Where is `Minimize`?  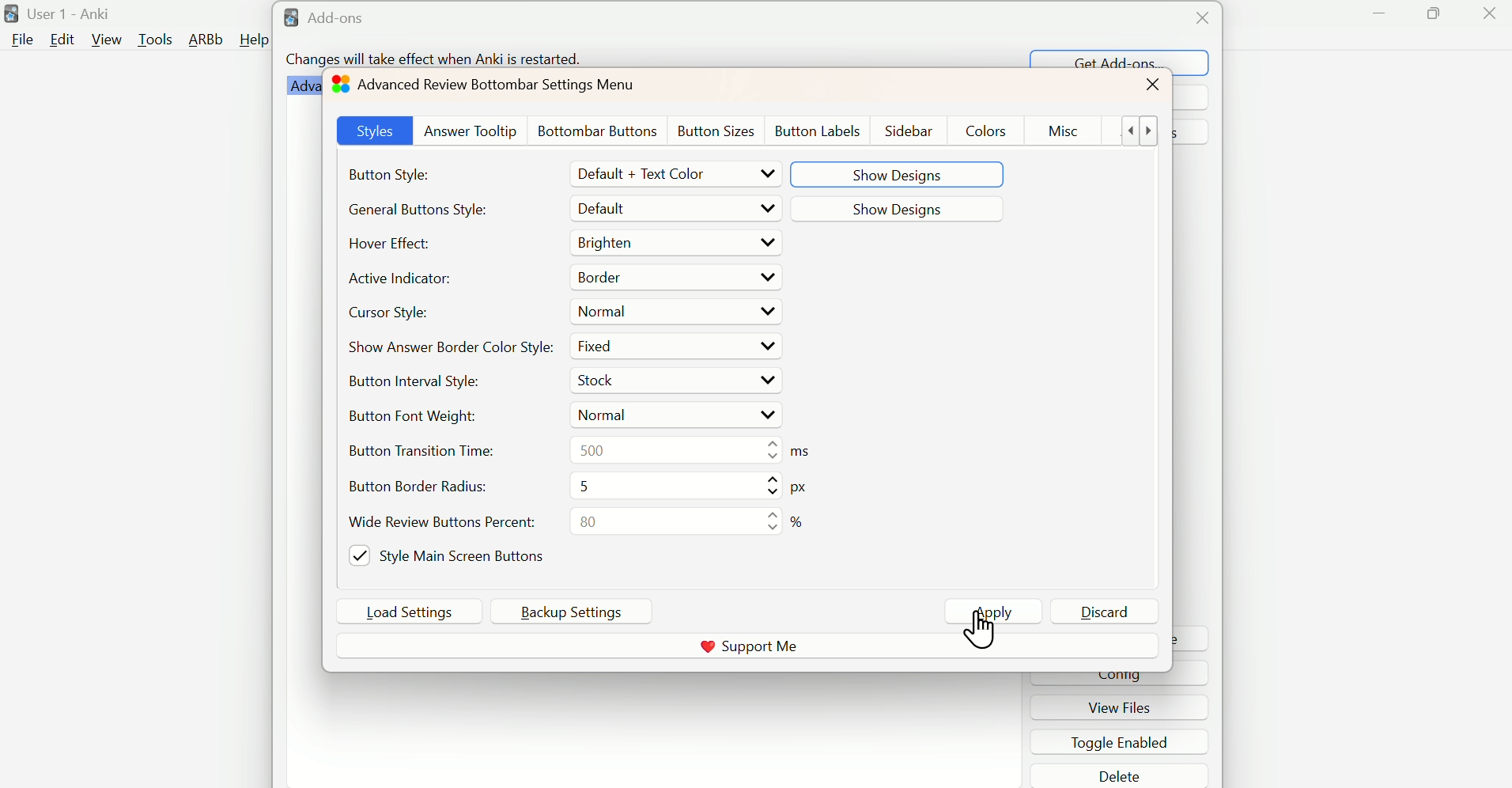
Minimize is located at coordinates (1378, 14).